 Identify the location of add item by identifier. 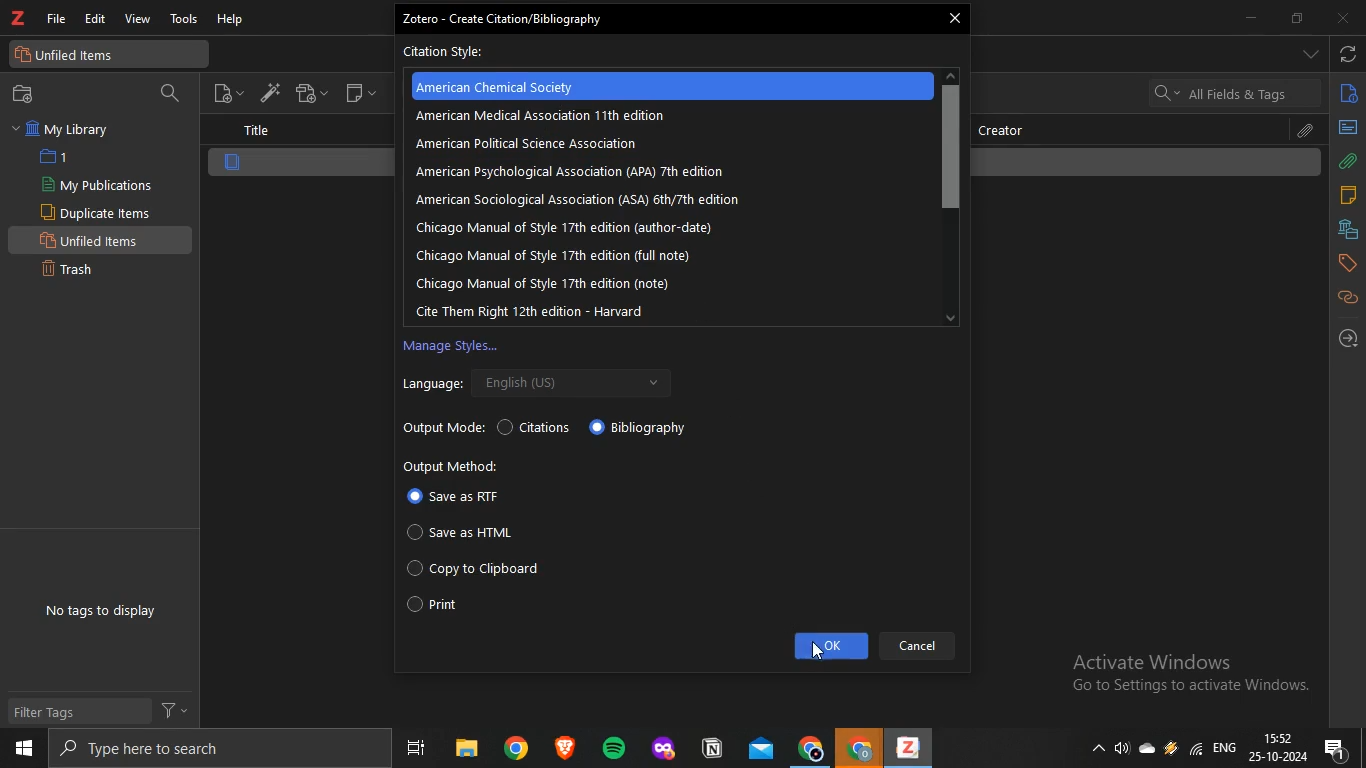
(265, 91).